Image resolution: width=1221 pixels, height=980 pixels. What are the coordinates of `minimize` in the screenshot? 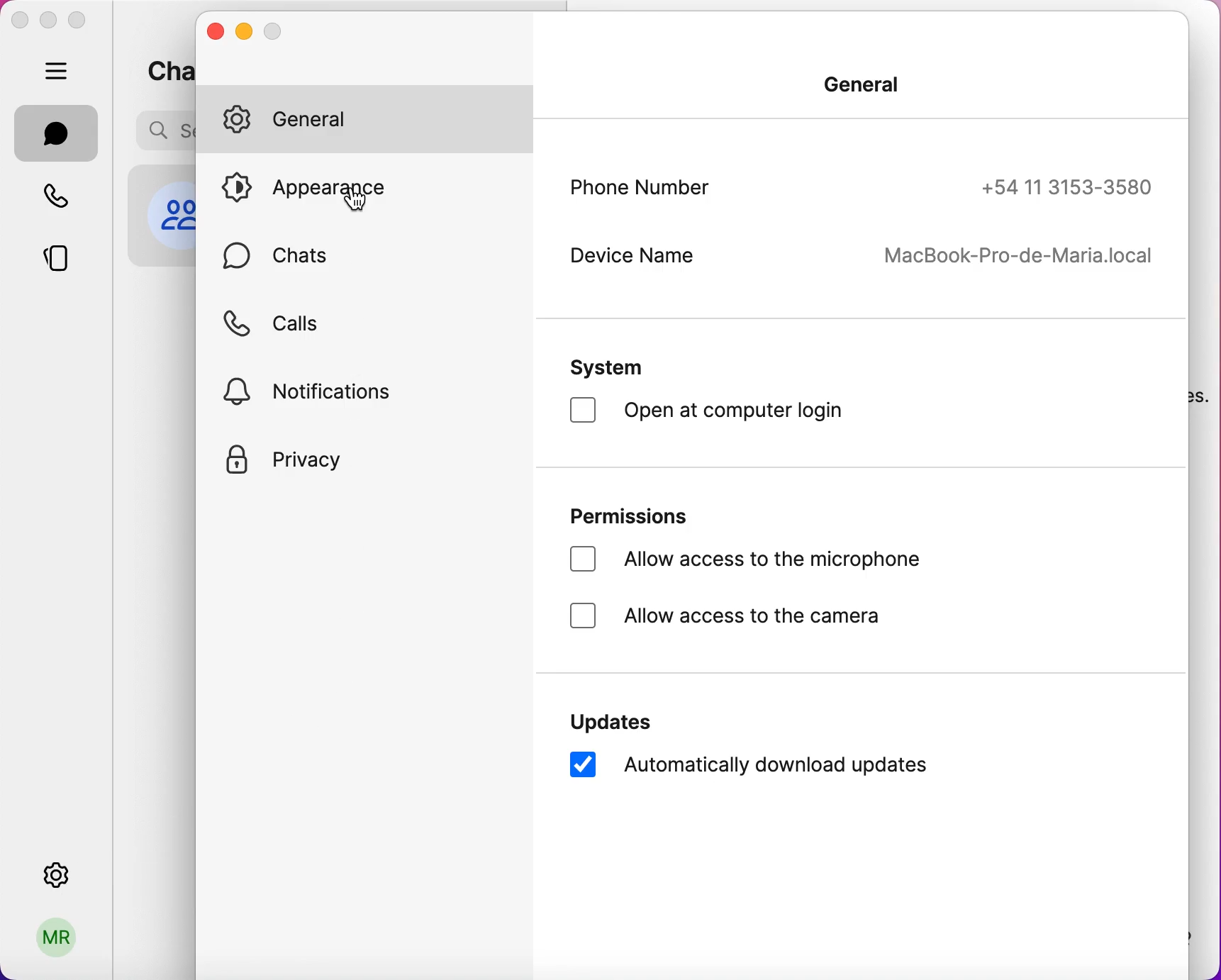 It's located at (49, 20).